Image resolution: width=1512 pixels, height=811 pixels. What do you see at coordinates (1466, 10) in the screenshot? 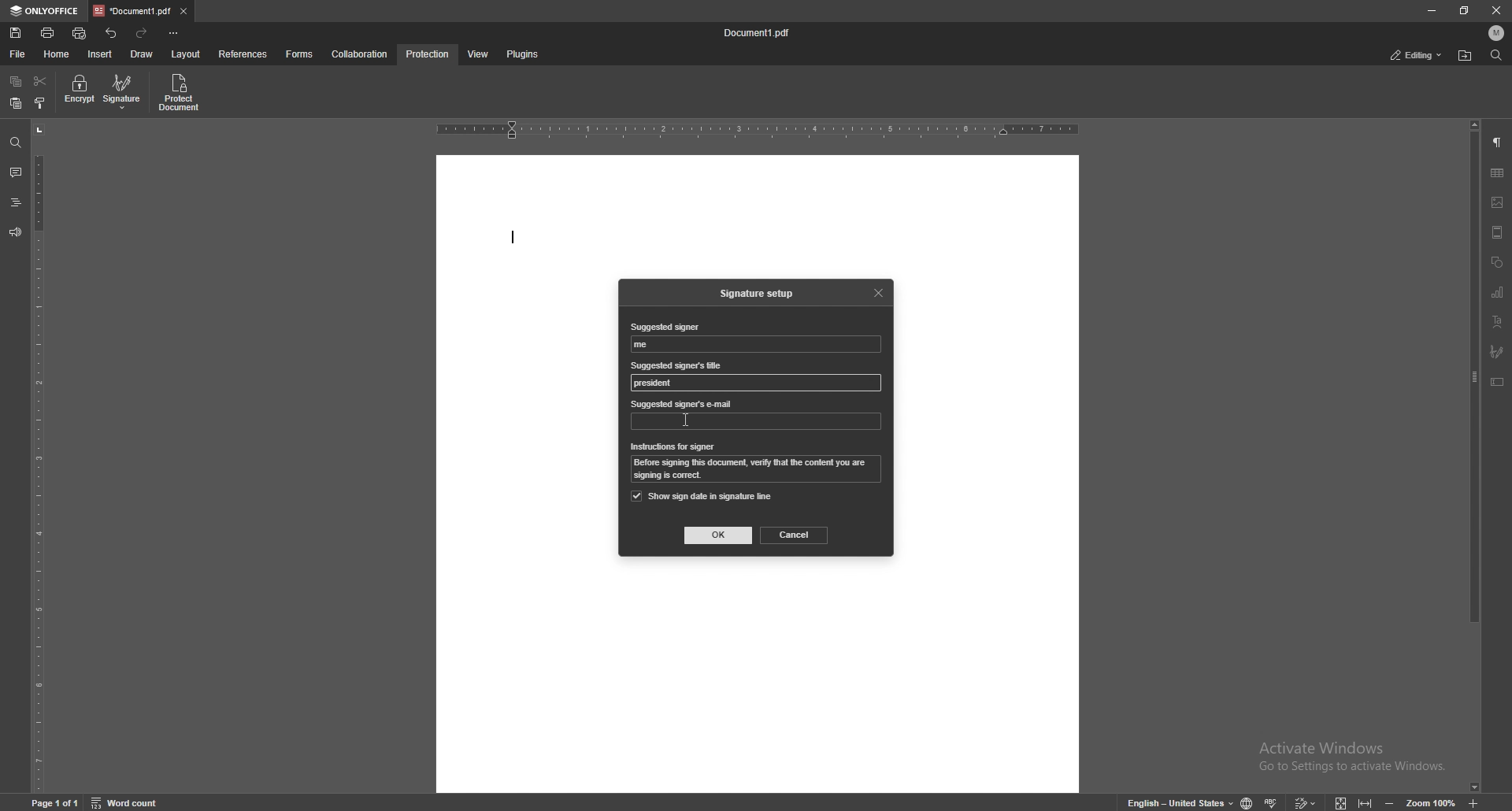
I see `resize` at bounding box center [1466, 10].